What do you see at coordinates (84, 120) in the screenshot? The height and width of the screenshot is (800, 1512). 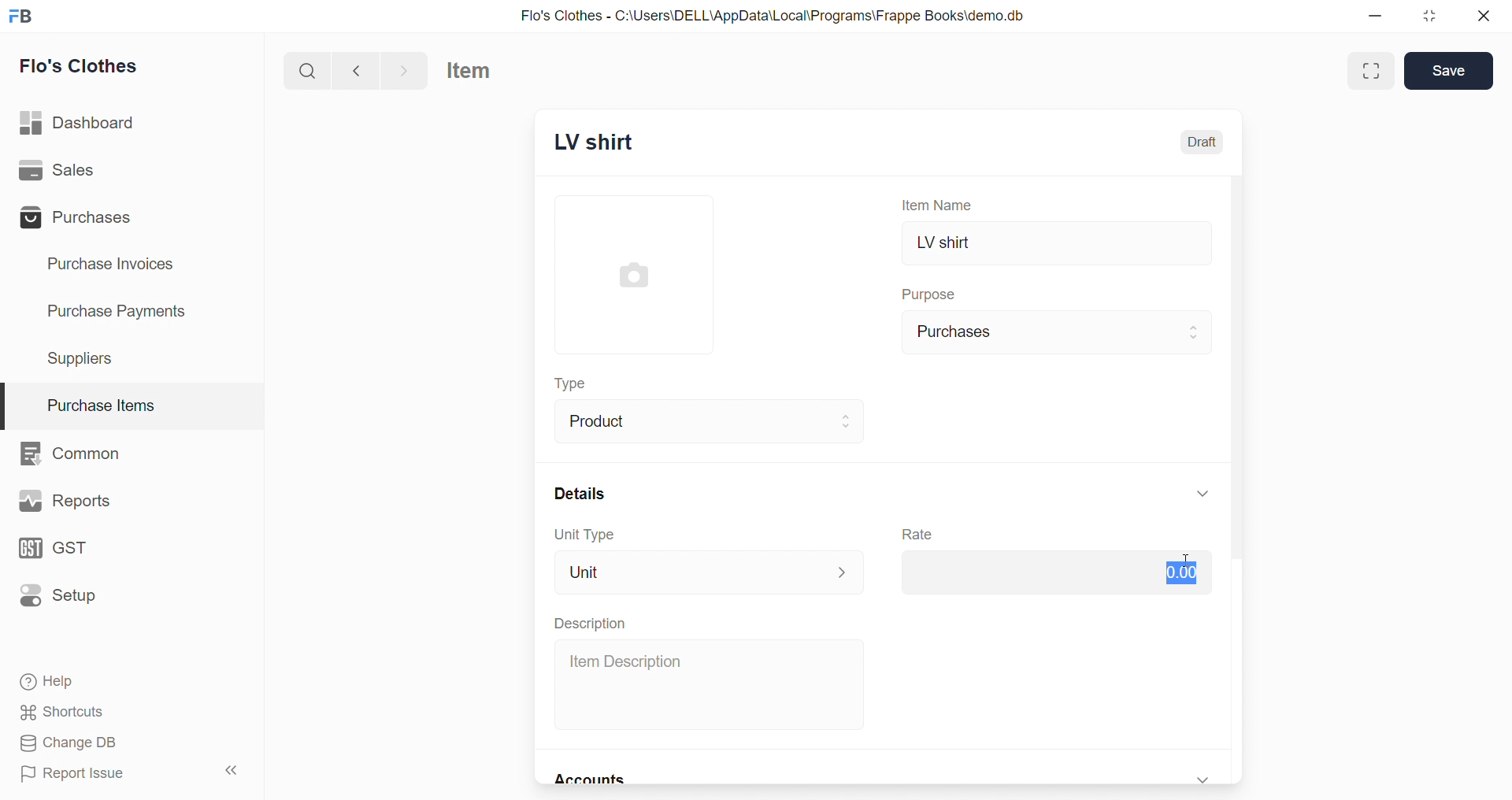 I see `Dashboard` at bounding box center [84, 120].